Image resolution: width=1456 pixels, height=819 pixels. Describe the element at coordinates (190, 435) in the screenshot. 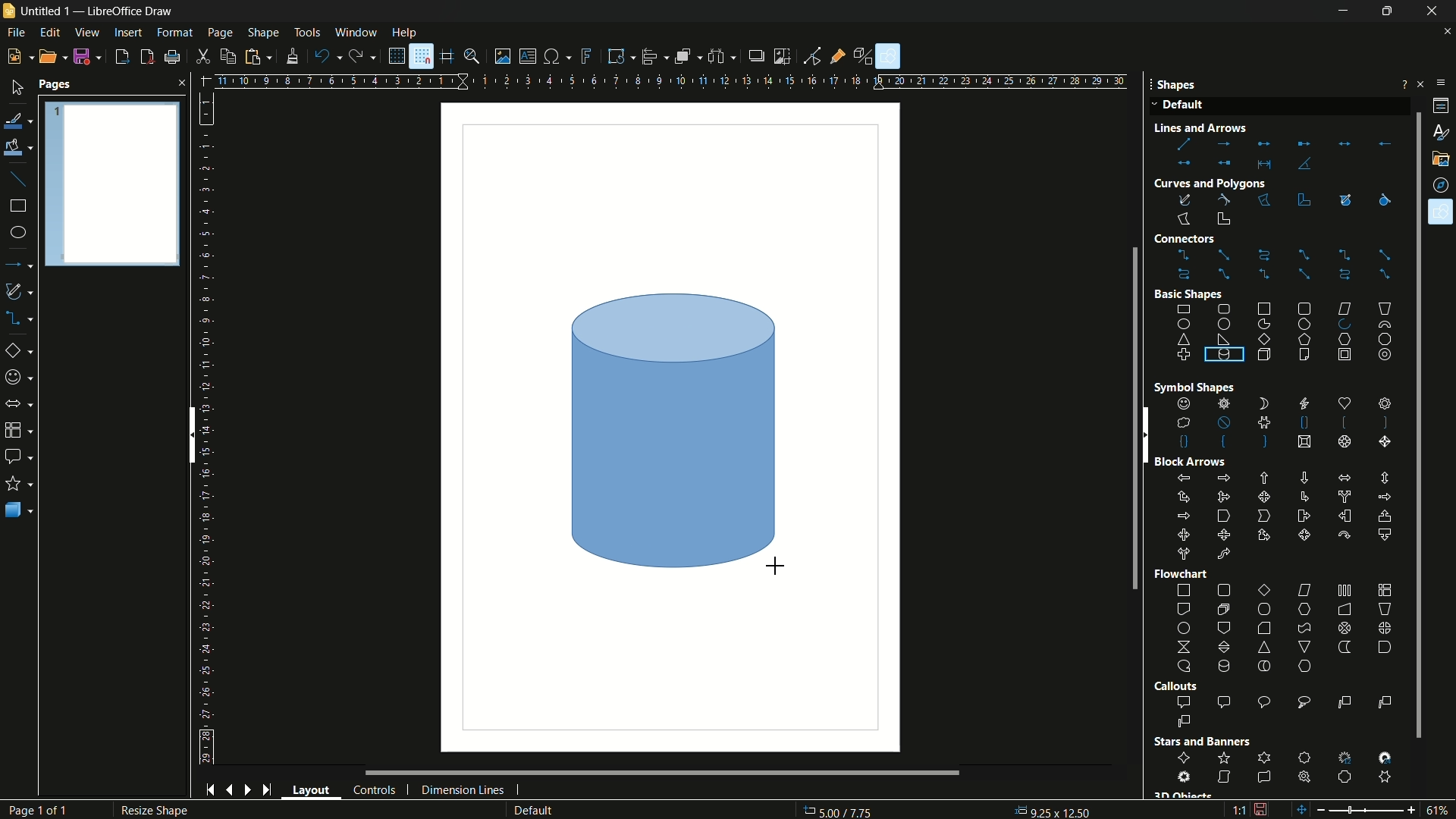

I see `scroll bar` at that location.